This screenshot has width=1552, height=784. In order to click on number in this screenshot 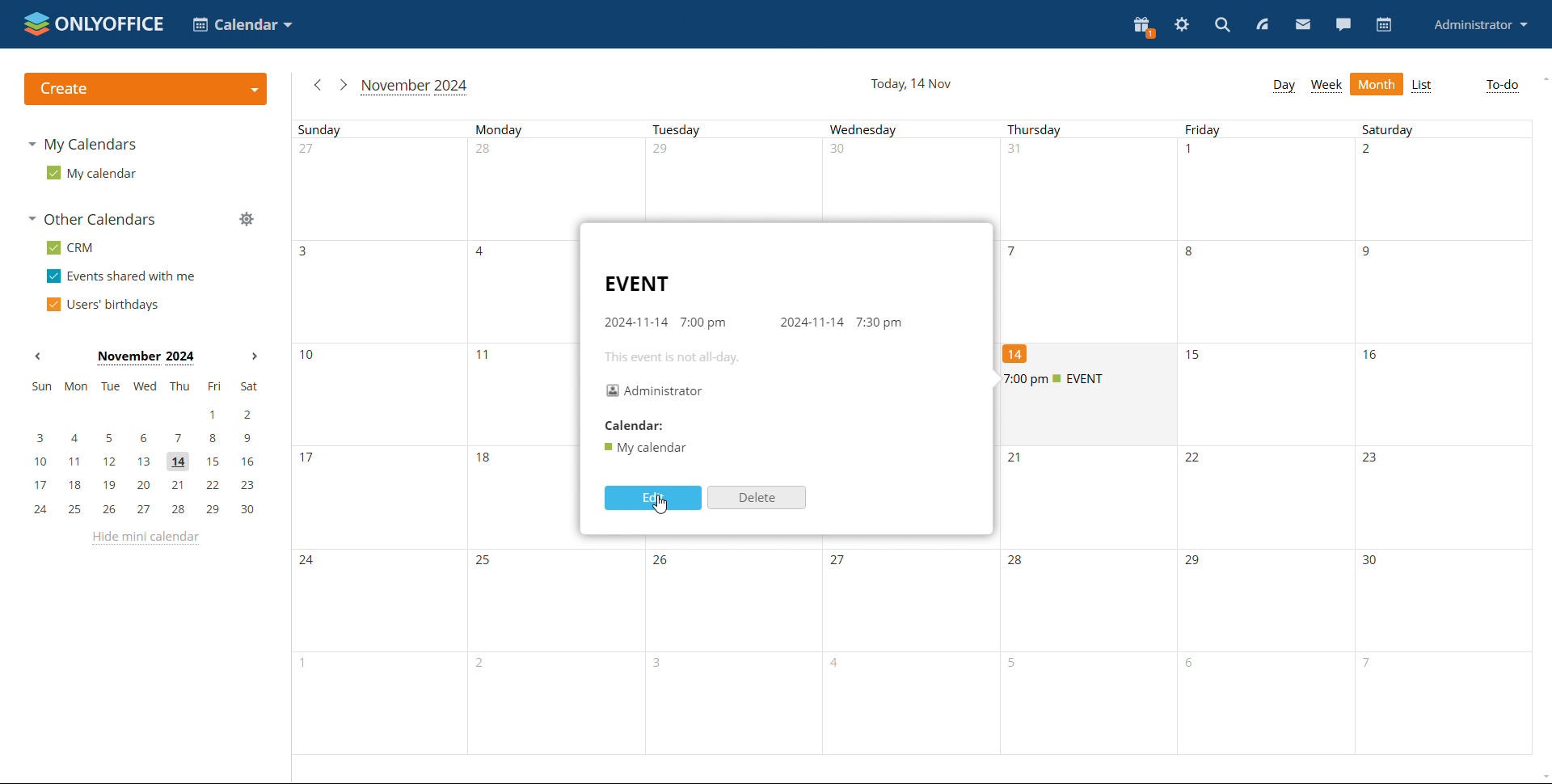, I will do `click(309, 357)`.